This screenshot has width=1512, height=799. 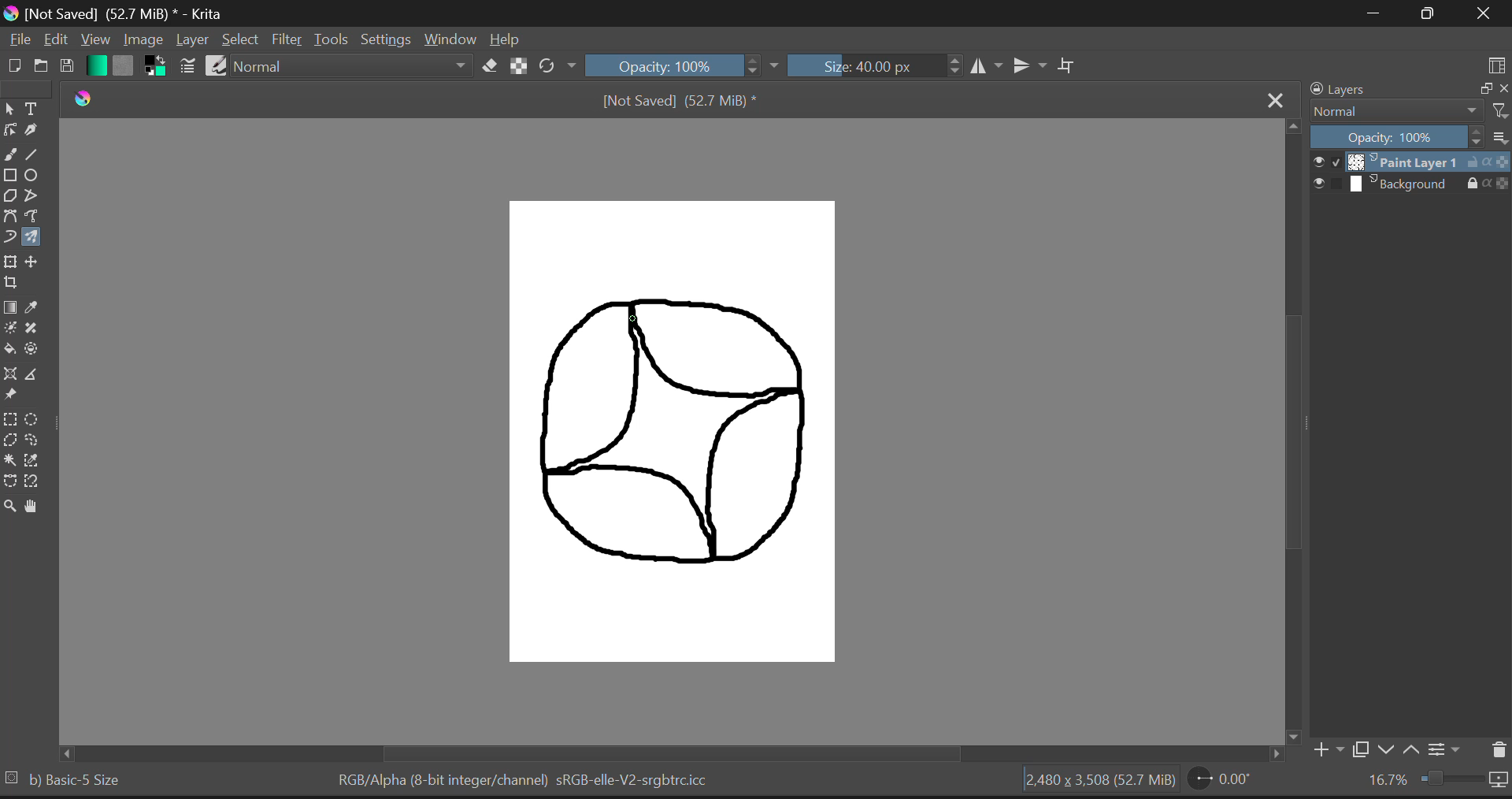 What do you see at coordinates (32, 195) in the screenshot?
I see `Polylines` at bounding box center [32, 195].